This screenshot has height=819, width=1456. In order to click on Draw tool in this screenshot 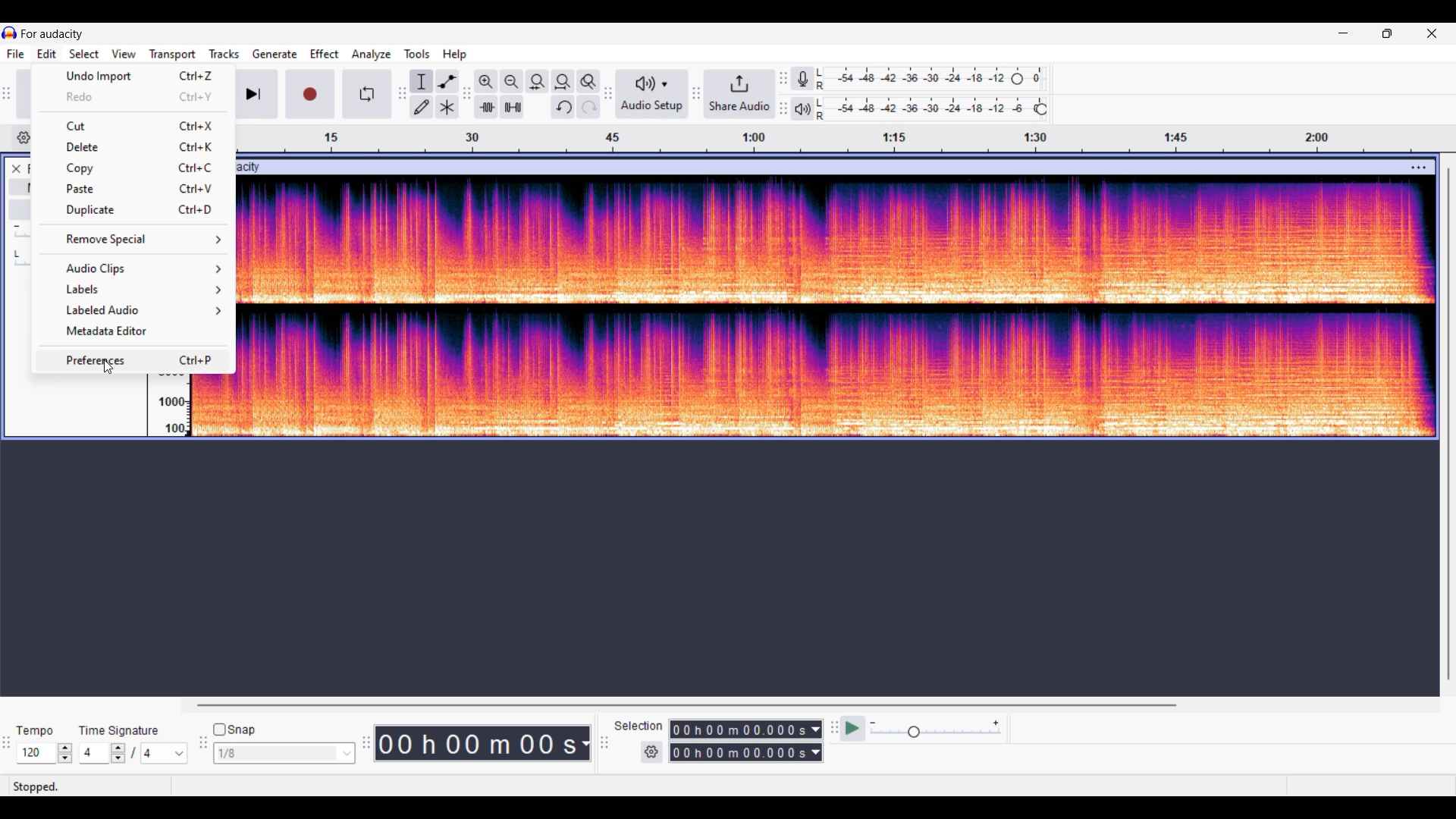, I will do `click(422, 107)`.